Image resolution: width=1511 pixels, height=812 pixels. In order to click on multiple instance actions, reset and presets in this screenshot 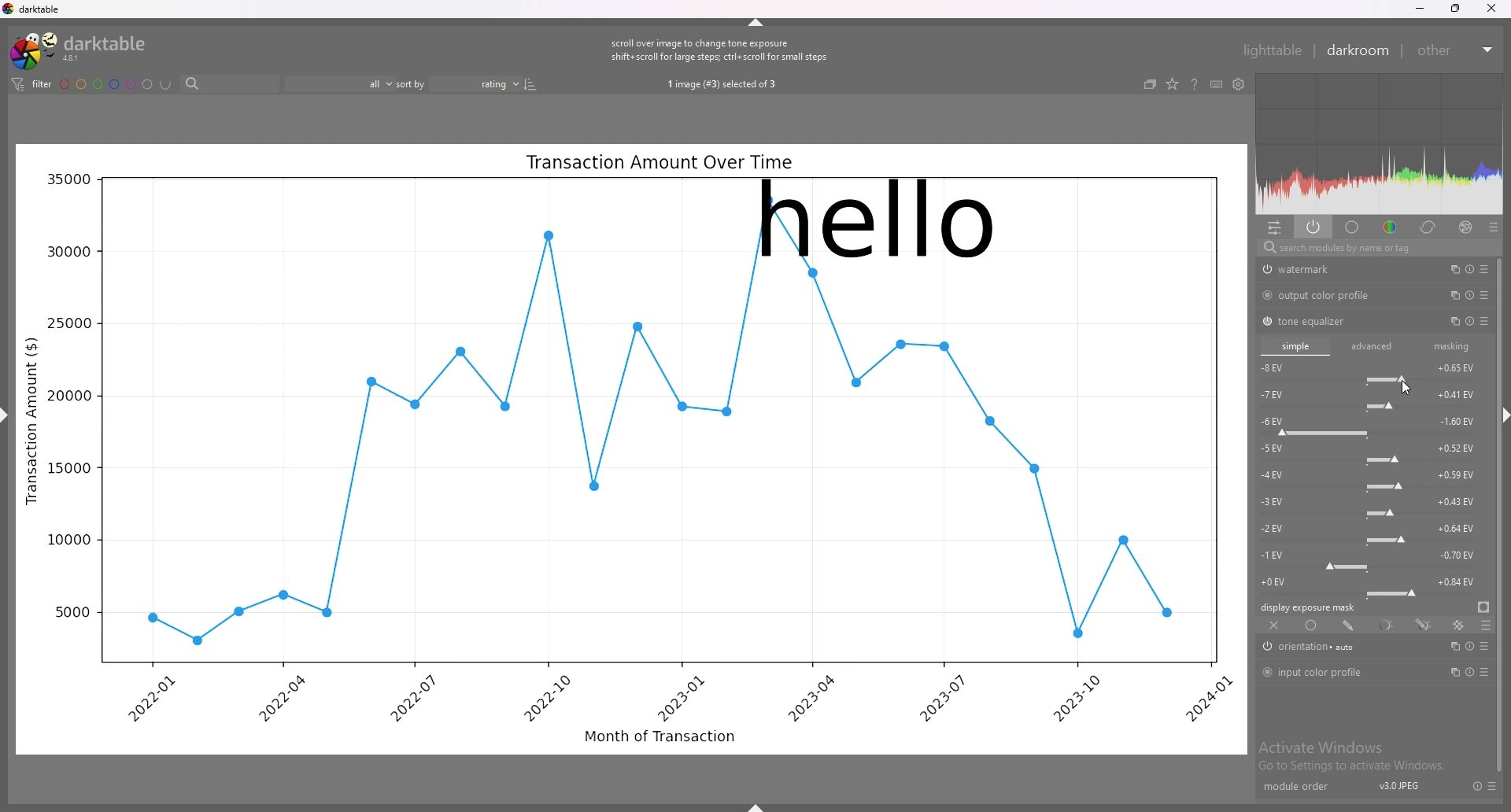, I will do `click(1471, 671)`.